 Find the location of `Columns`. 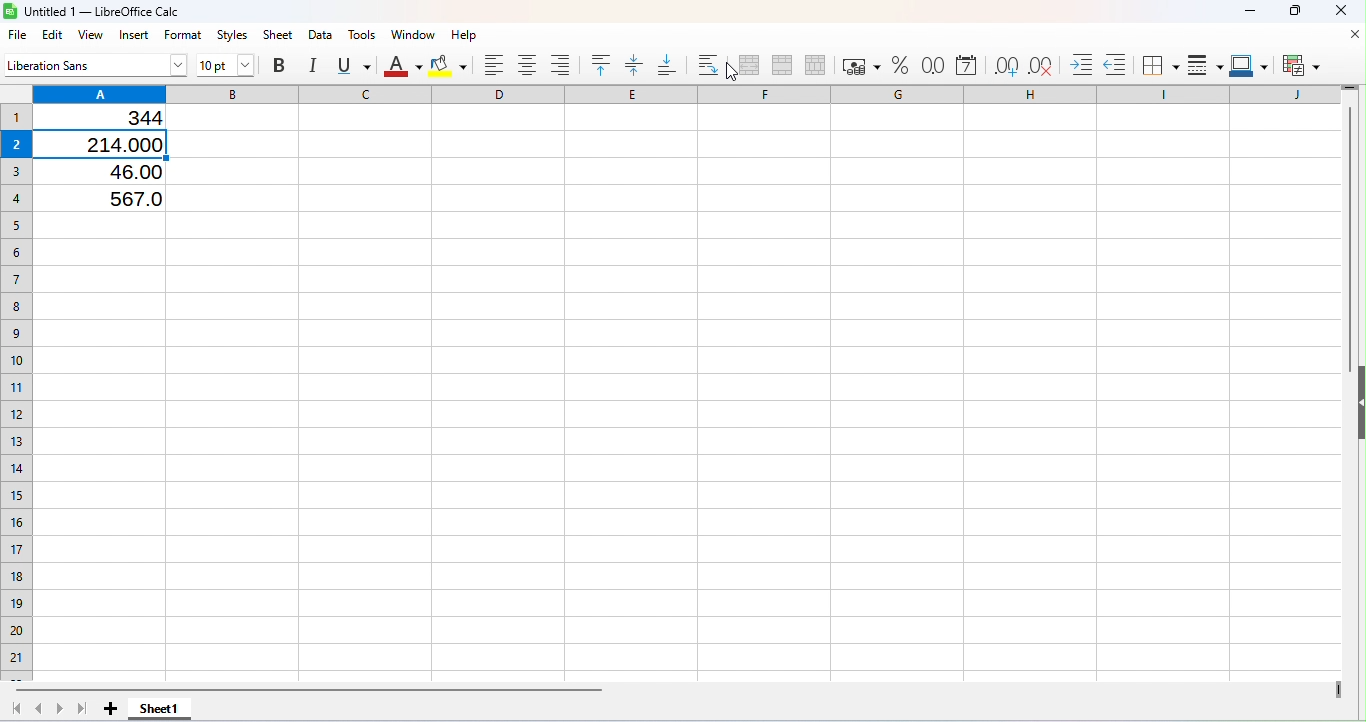

Columns is located at coordinates (686, 92).